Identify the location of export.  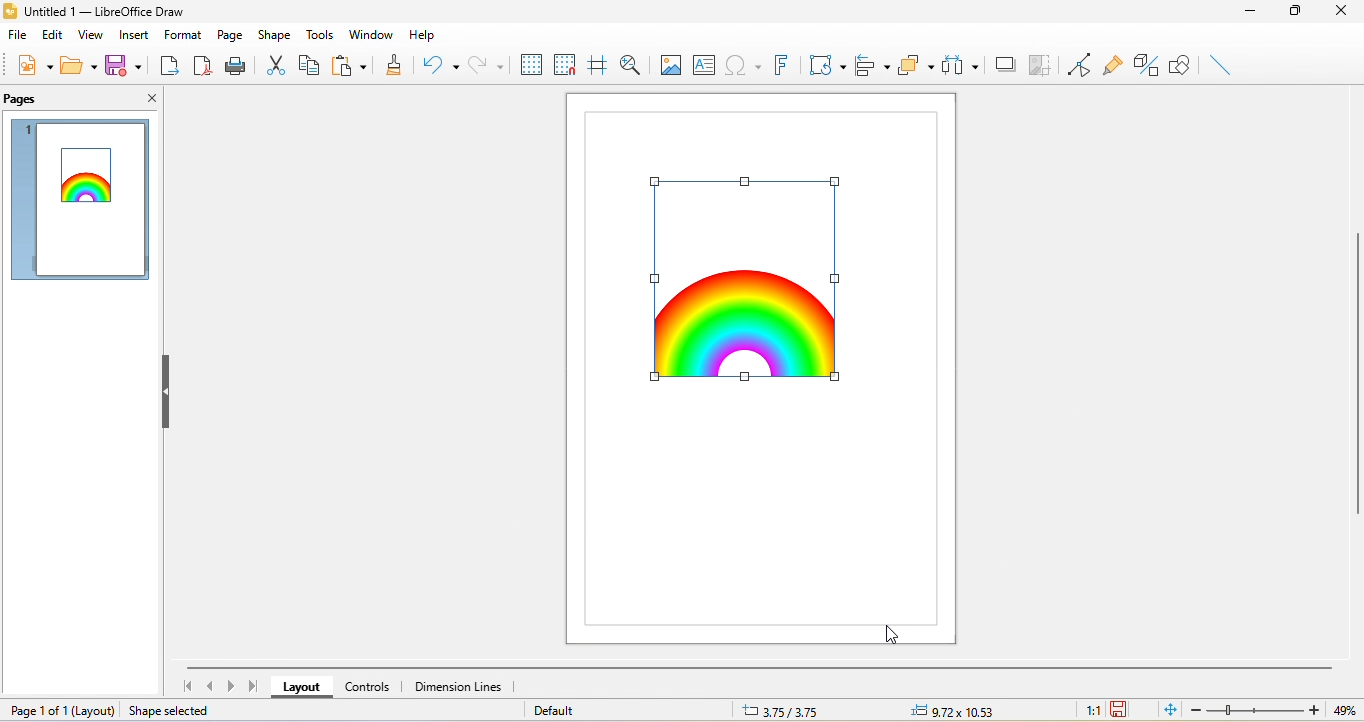
(169, 68).